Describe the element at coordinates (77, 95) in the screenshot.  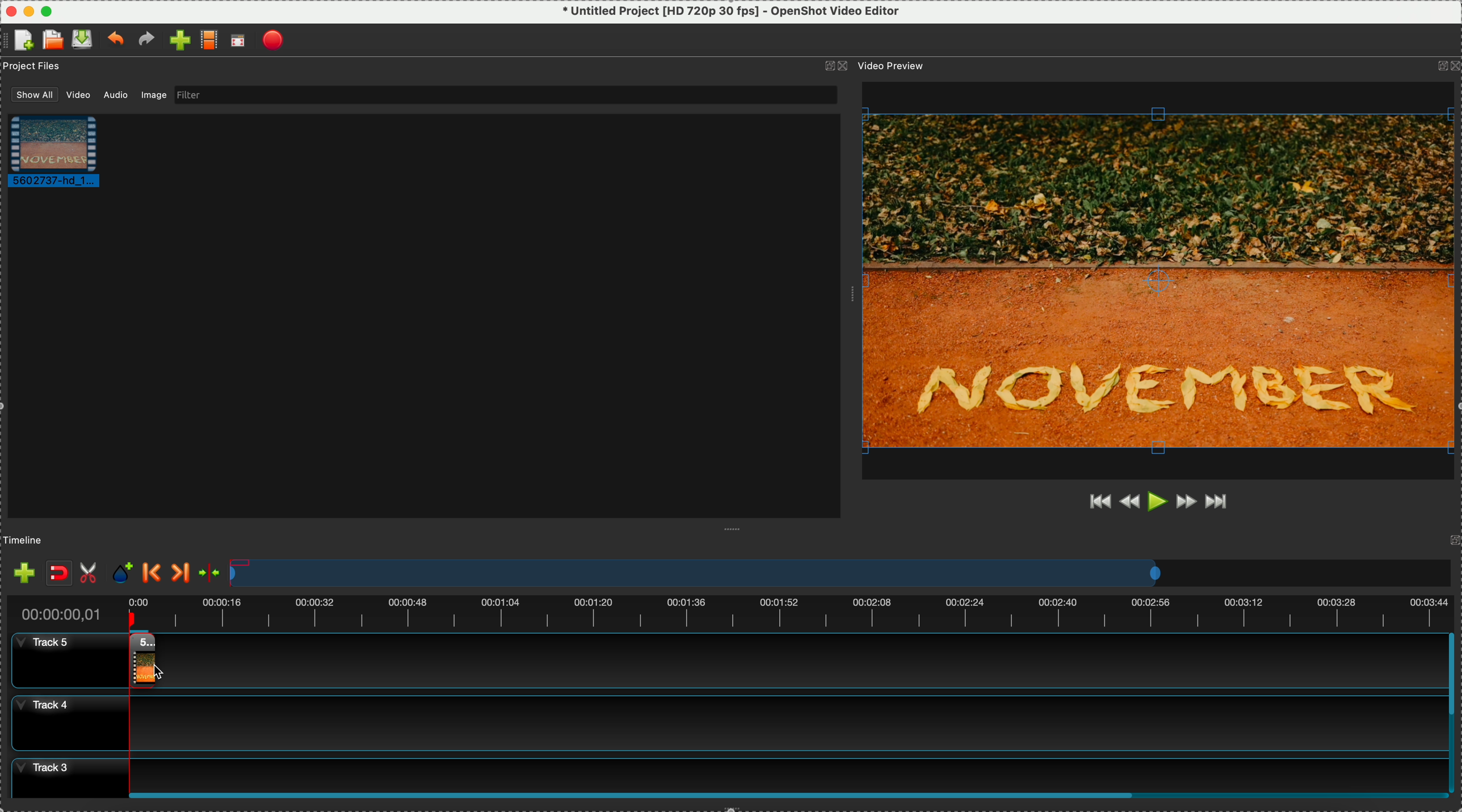
I see `video` at that location.